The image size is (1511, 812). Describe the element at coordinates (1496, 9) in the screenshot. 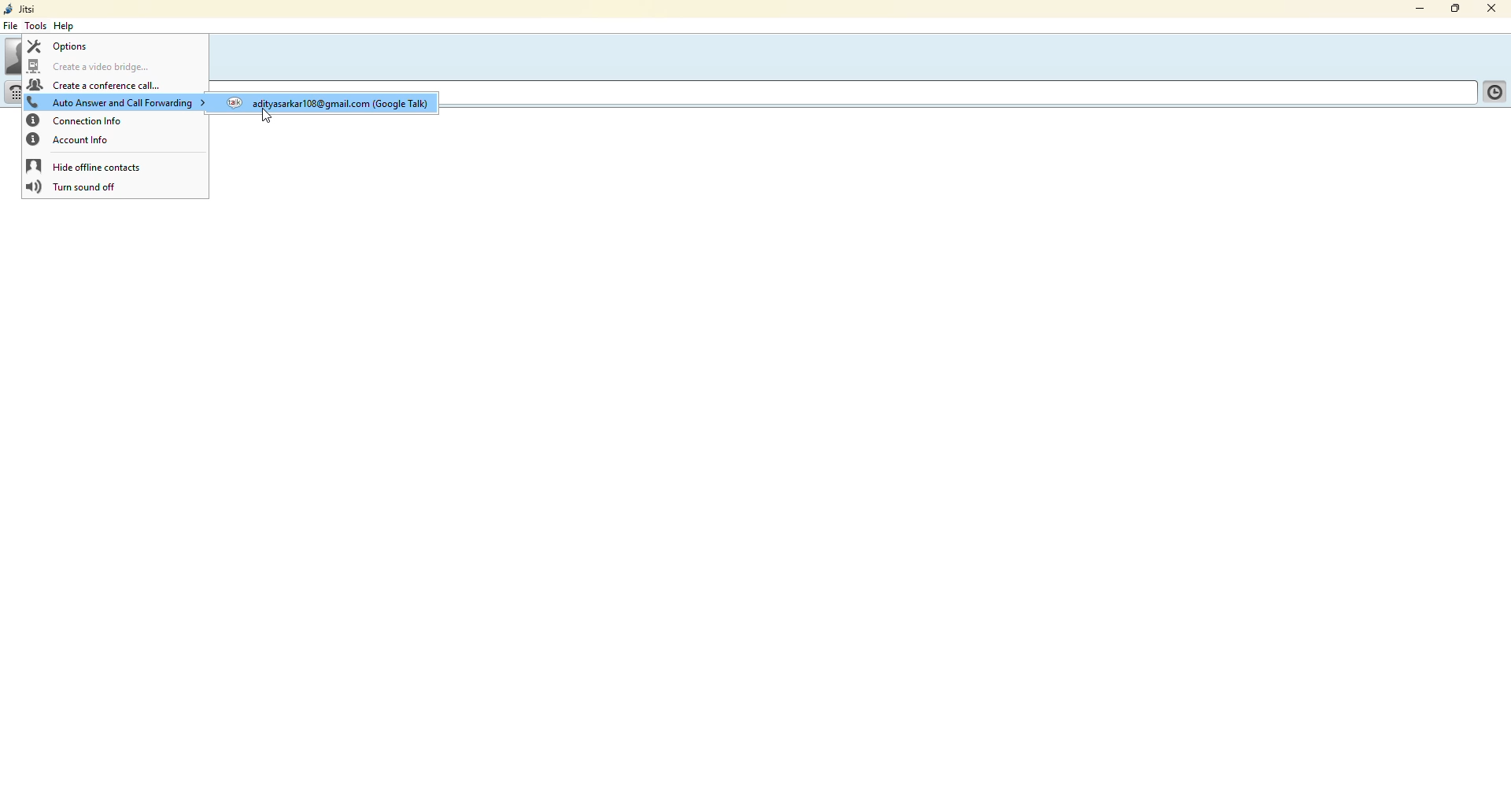

I see `close` at that location.